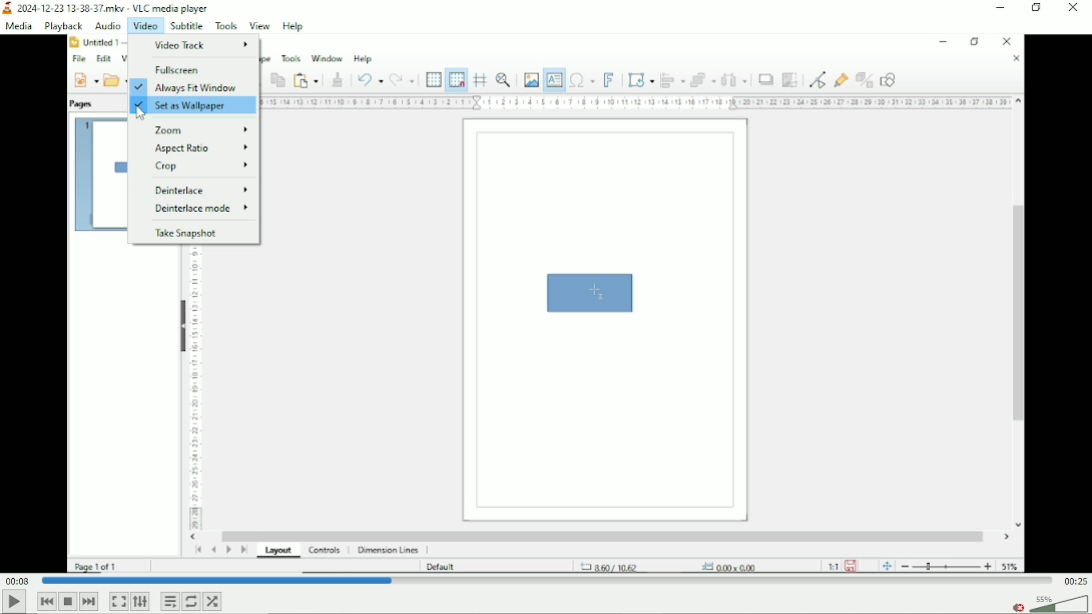 The image size is (1092, 614). Describe the element at coordinates (46, 601) in the screenshot. I see `Previous` at that location.